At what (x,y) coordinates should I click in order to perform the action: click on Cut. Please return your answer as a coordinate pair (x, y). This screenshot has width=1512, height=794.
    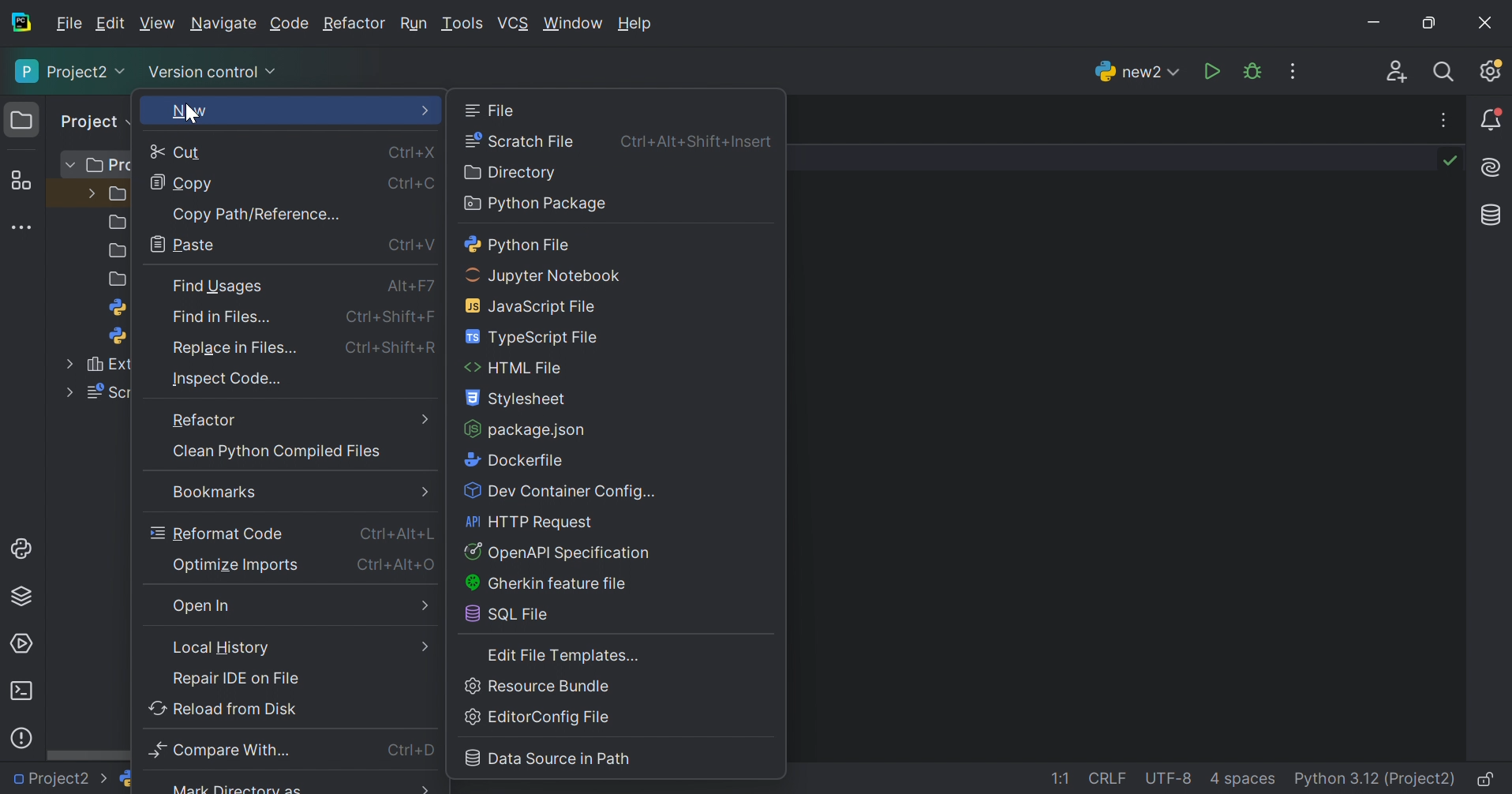
    Looking at the image, I should click on (179, 153).